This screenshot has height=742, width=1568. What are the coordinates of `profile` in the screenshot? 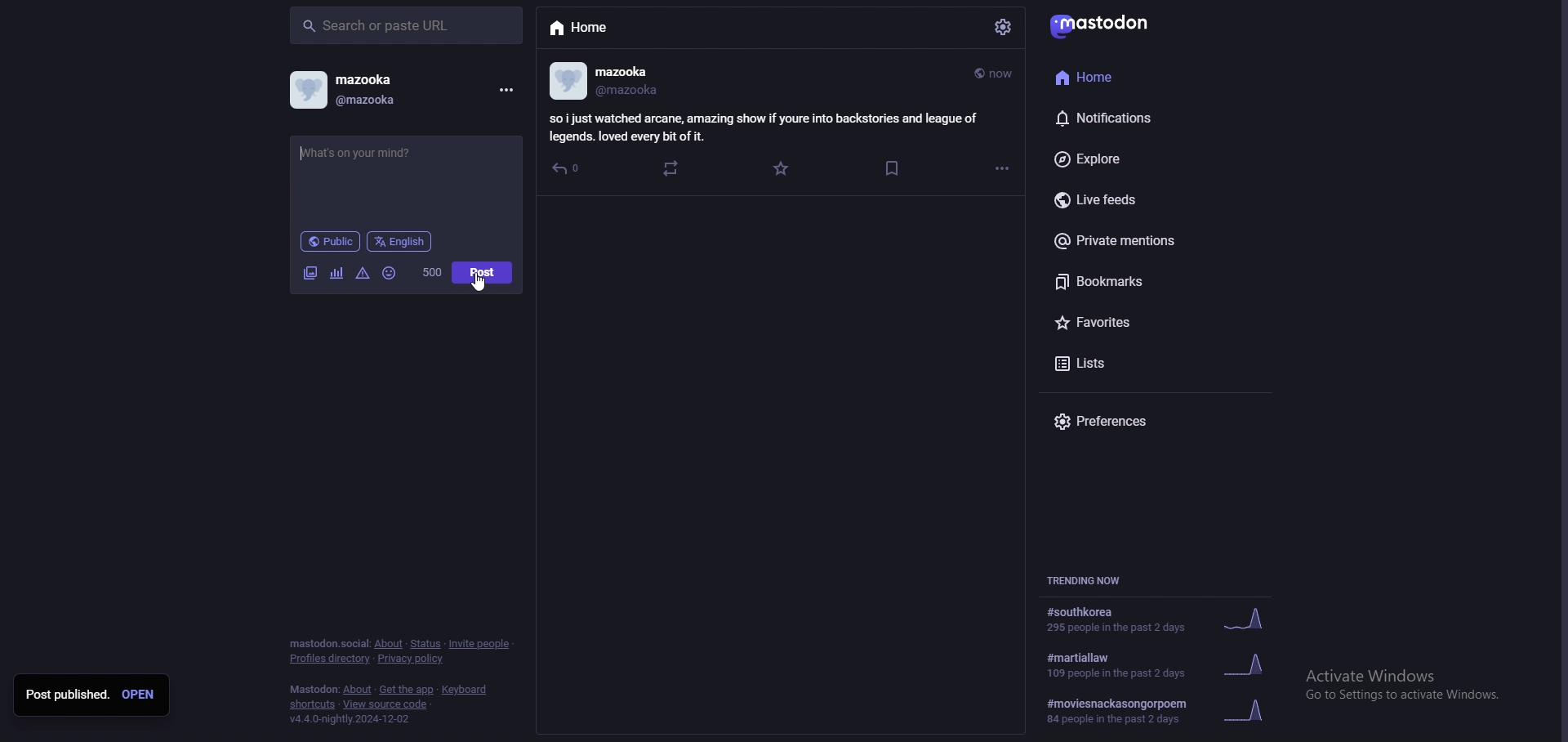 It's located at (604, 80).